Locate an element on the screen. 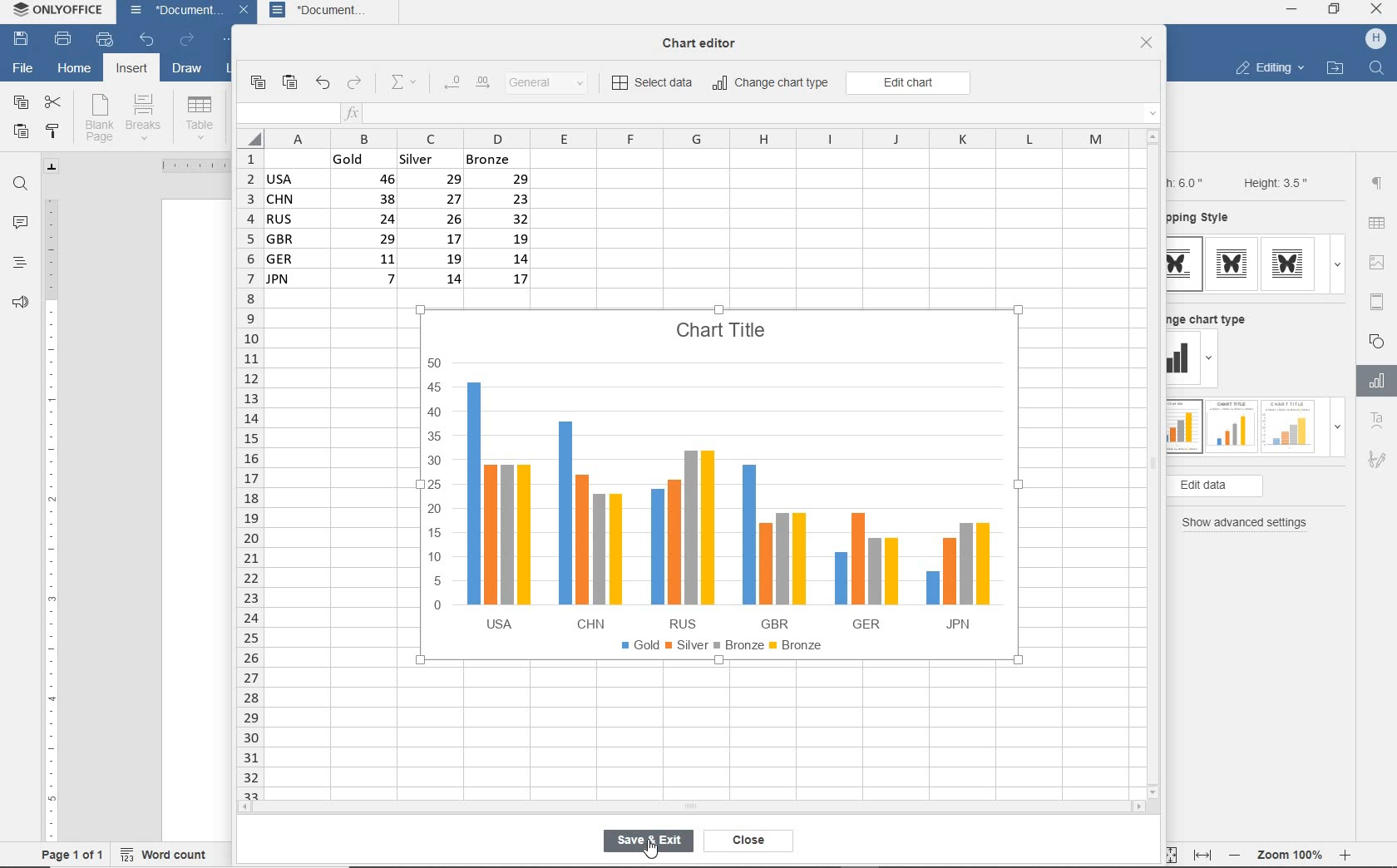 This screenshot has height=868, width=1397. redo is located at coordinates (186, 41).